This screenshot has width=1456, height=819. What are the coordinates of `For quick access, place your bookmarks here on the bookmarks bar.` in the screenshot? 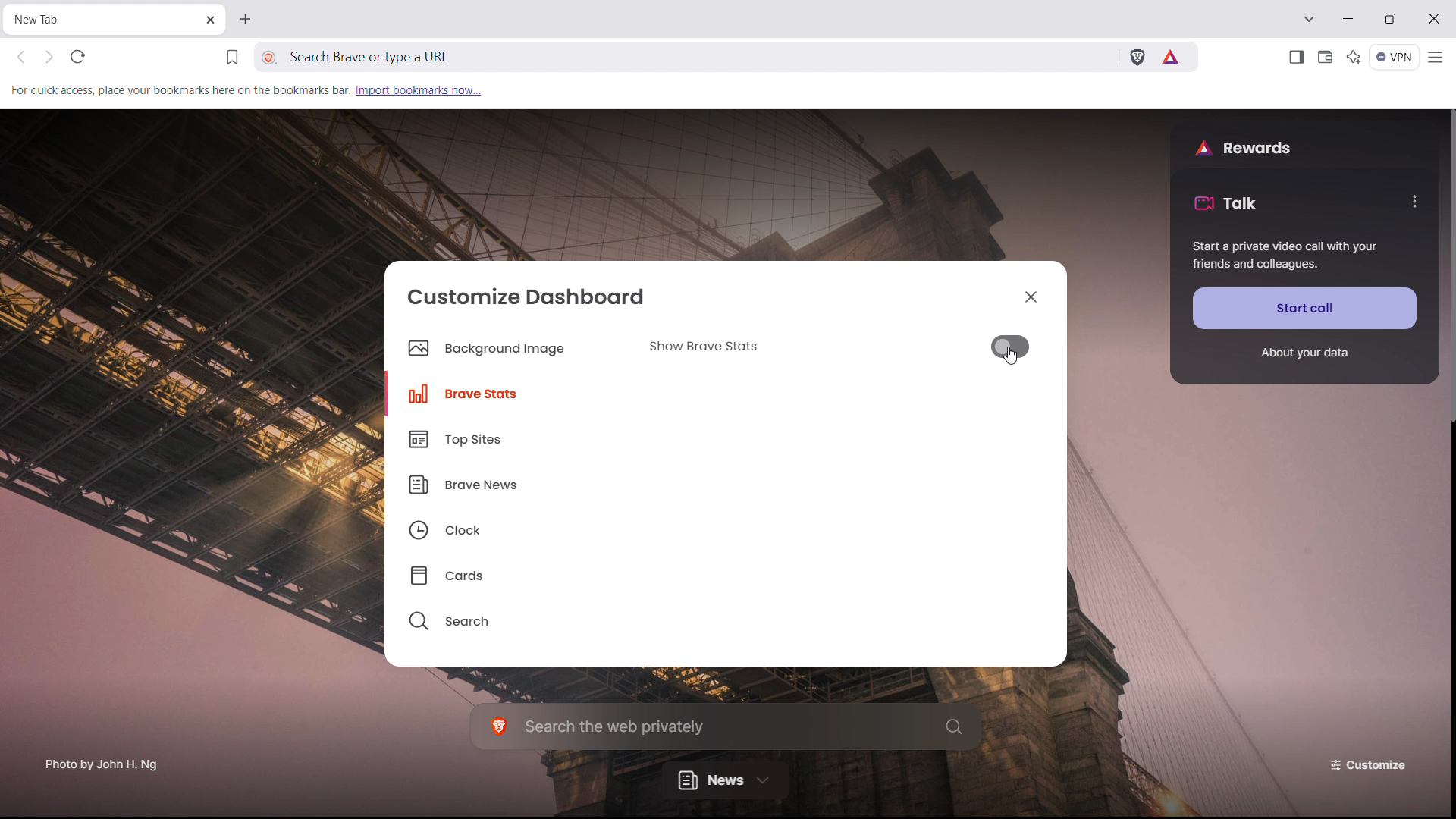 It's located at (178, 89).